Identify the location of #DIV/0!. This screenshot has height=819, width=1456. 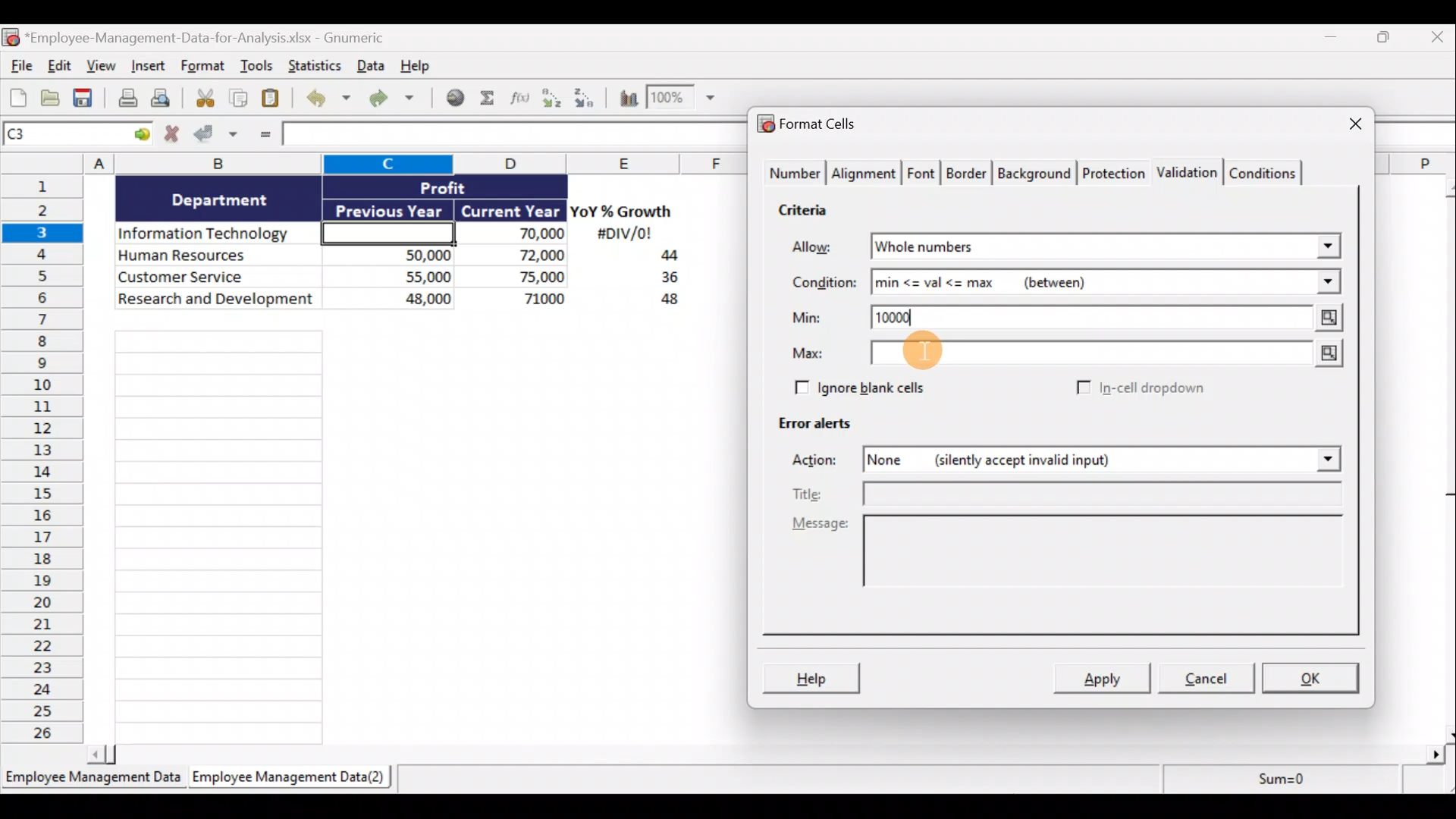
(623, 234).